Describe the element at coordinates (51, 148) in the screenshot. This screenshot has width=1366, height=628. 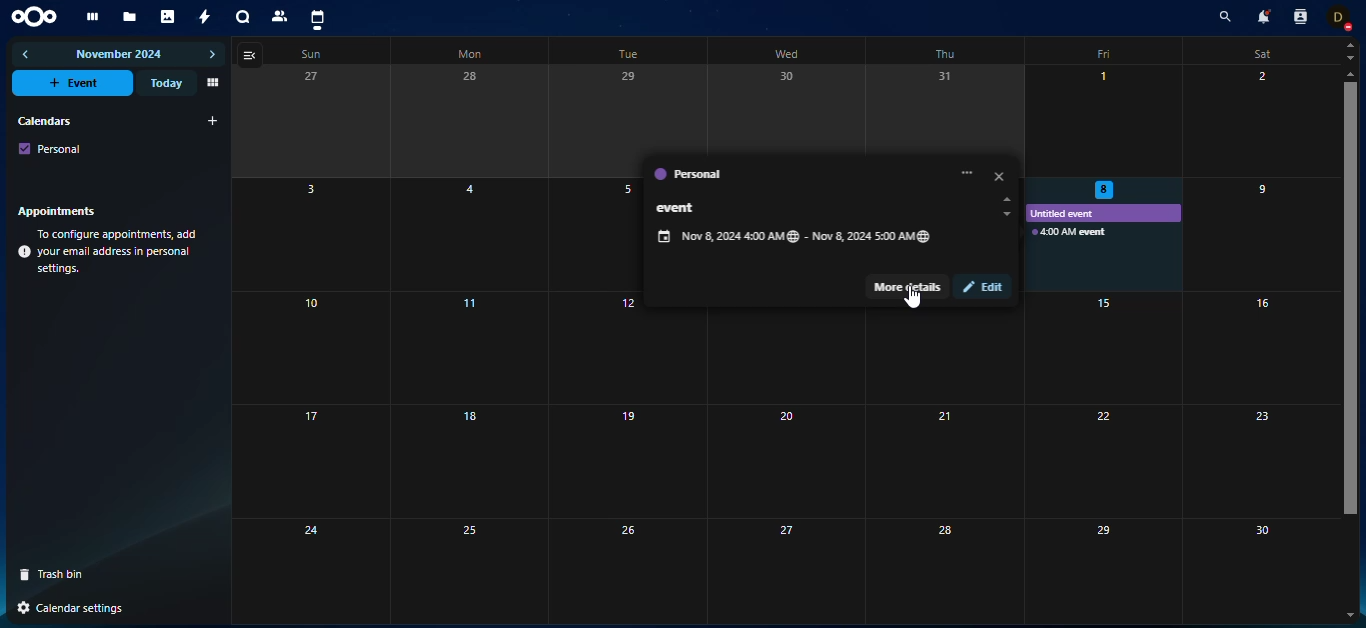
I see `personal` at that location.